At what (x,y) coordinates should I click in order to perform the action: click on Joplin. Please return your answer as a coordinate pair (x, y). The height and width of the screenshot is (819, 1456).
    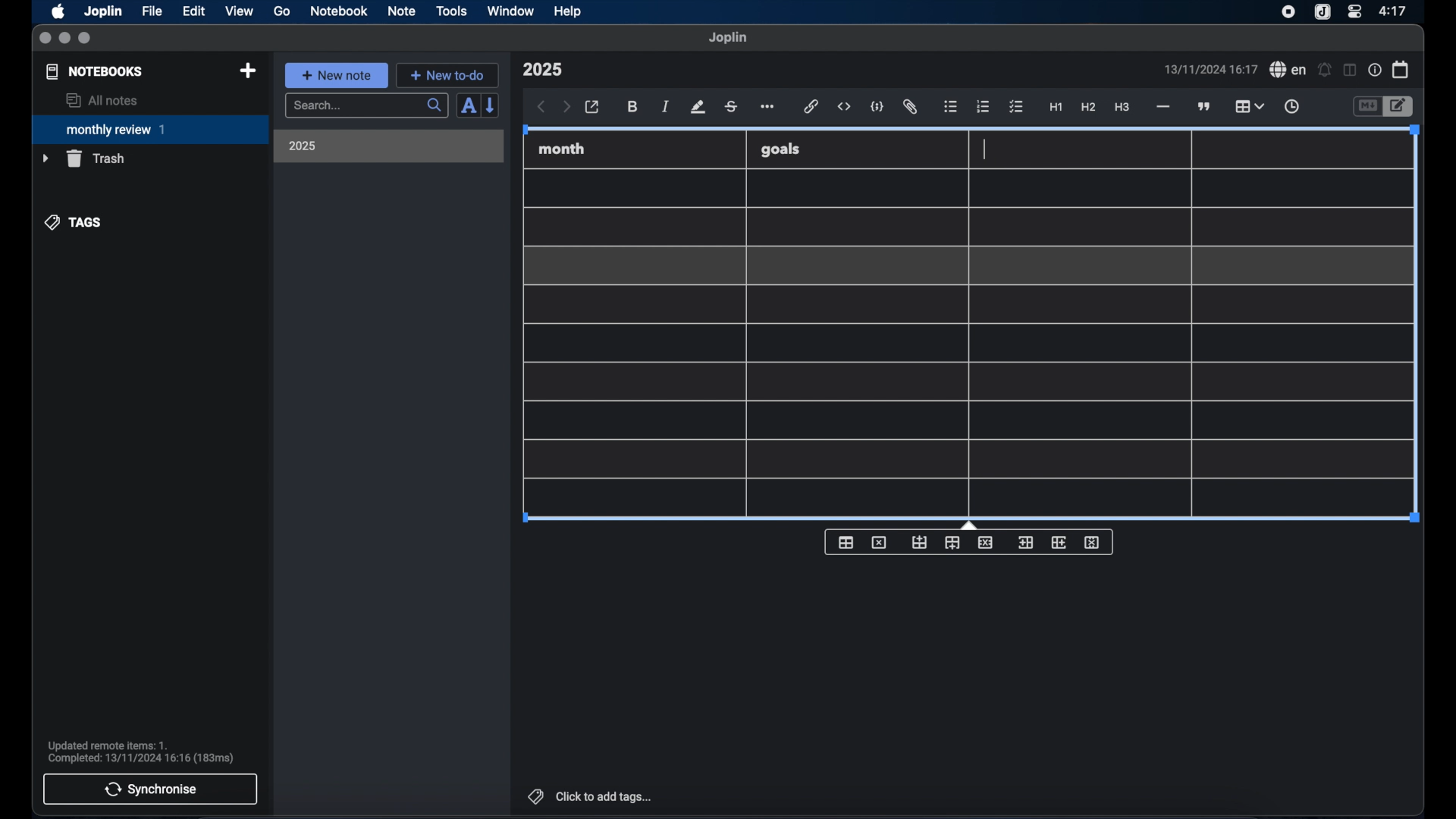
    Looking at the image, I should click on (105, 12).